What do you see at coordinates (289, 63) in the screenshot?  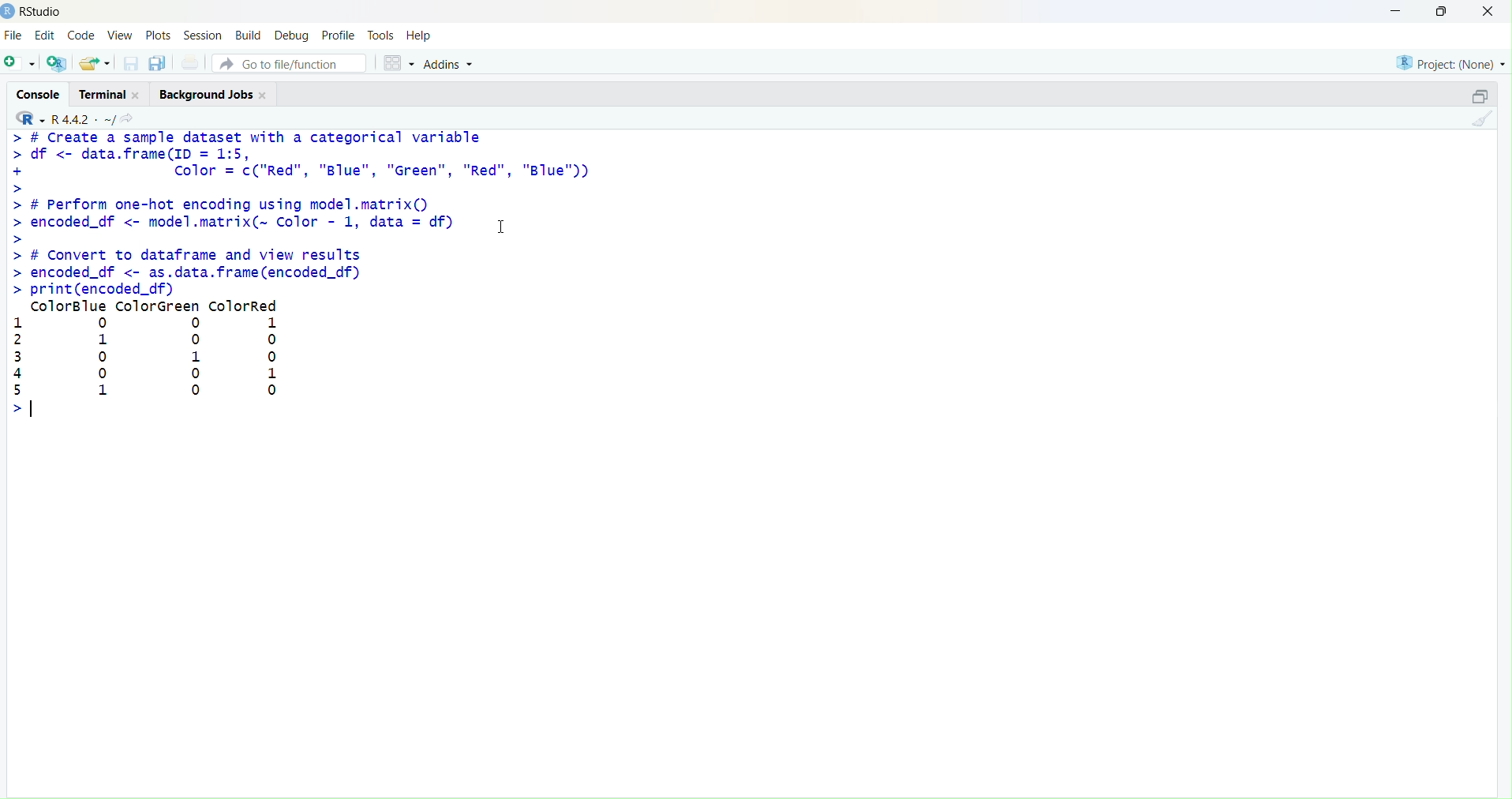 I see `go to file/function` at bounding box center [289, 63].